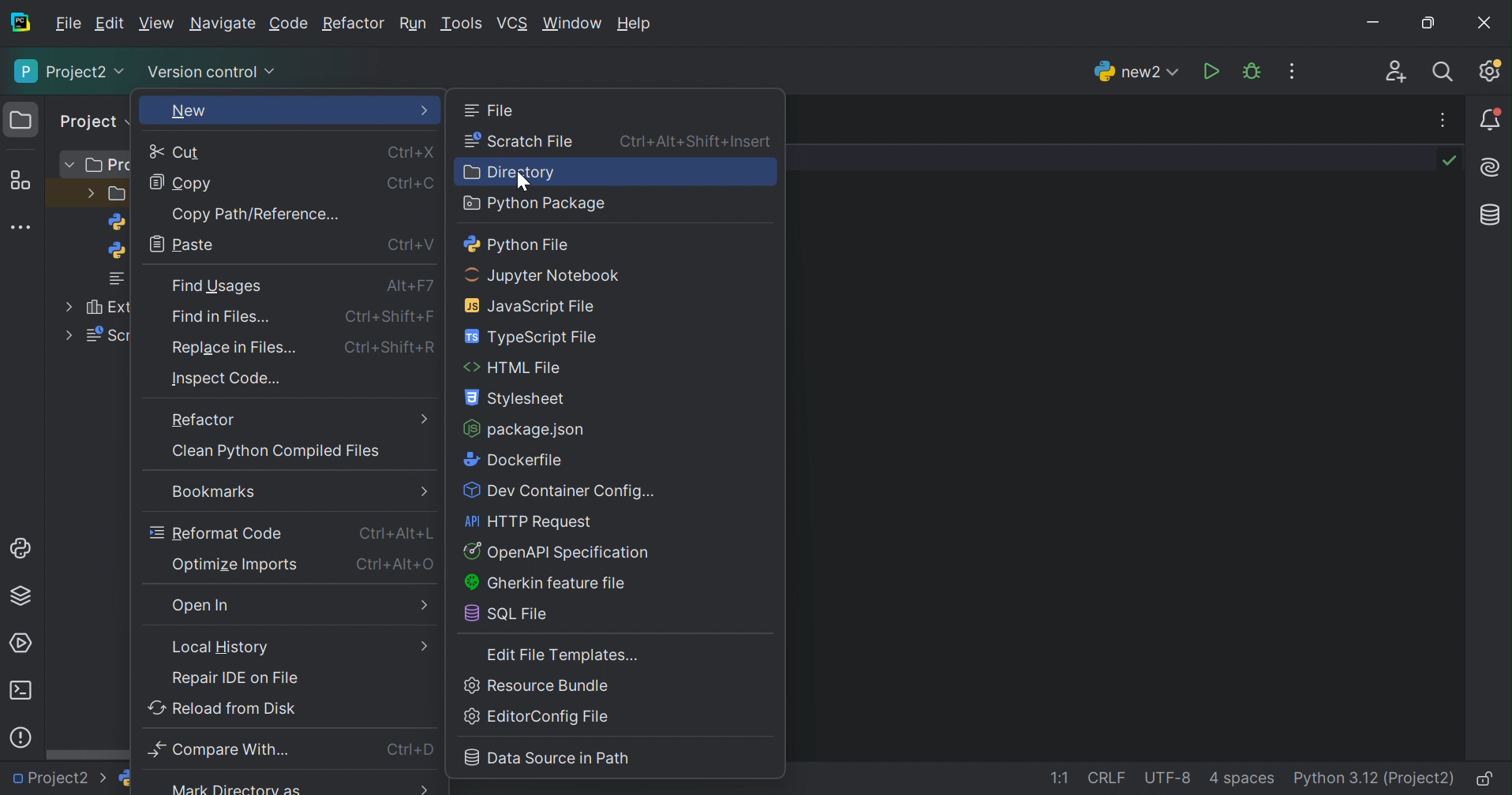 The image size is (1512, 795). I want to click on Refactor, so click(205, 418).